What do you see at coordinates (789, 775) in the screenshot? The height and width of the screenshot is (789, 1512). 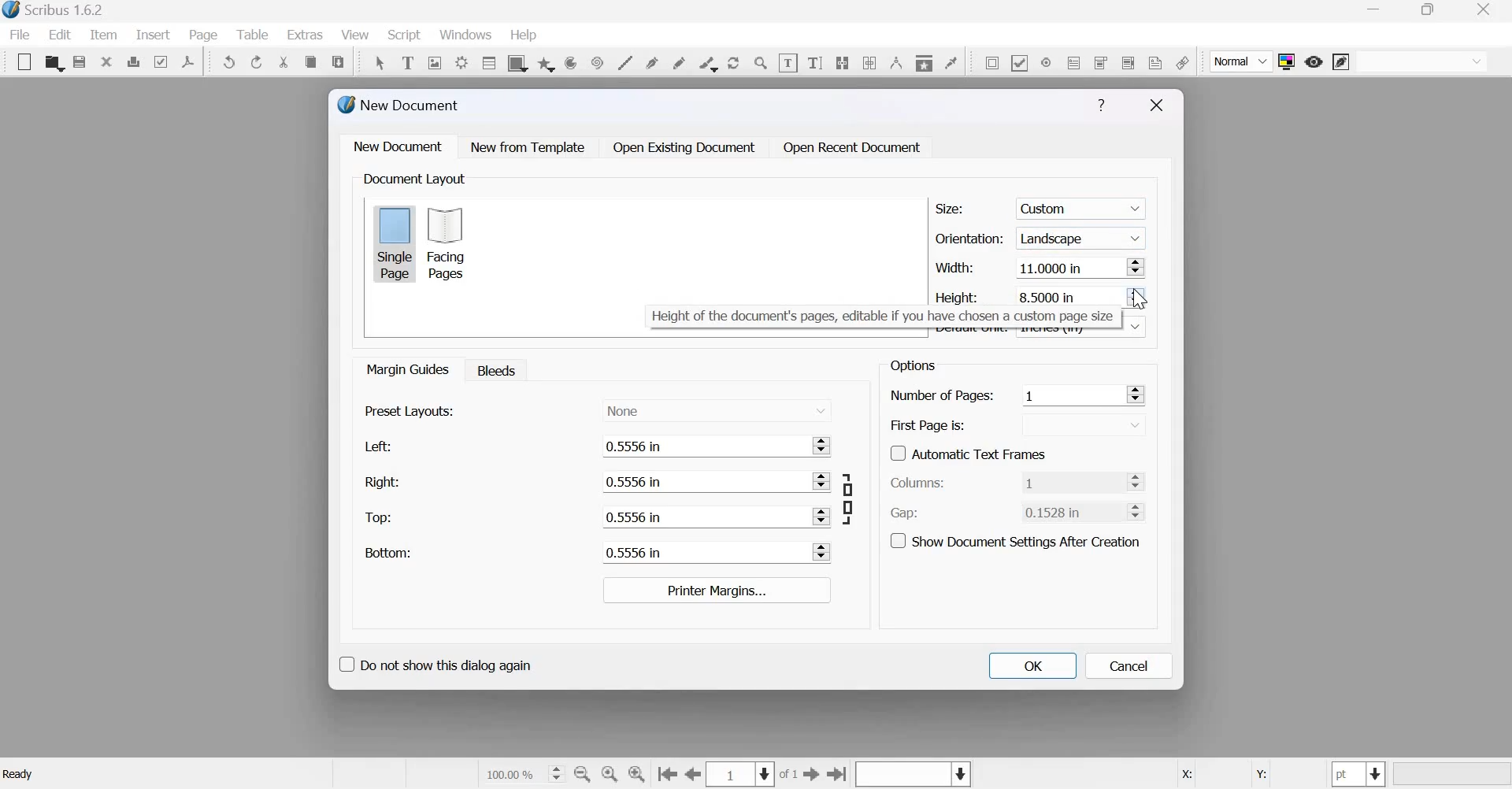 I see `of 1` at bounding box center [789, 775].